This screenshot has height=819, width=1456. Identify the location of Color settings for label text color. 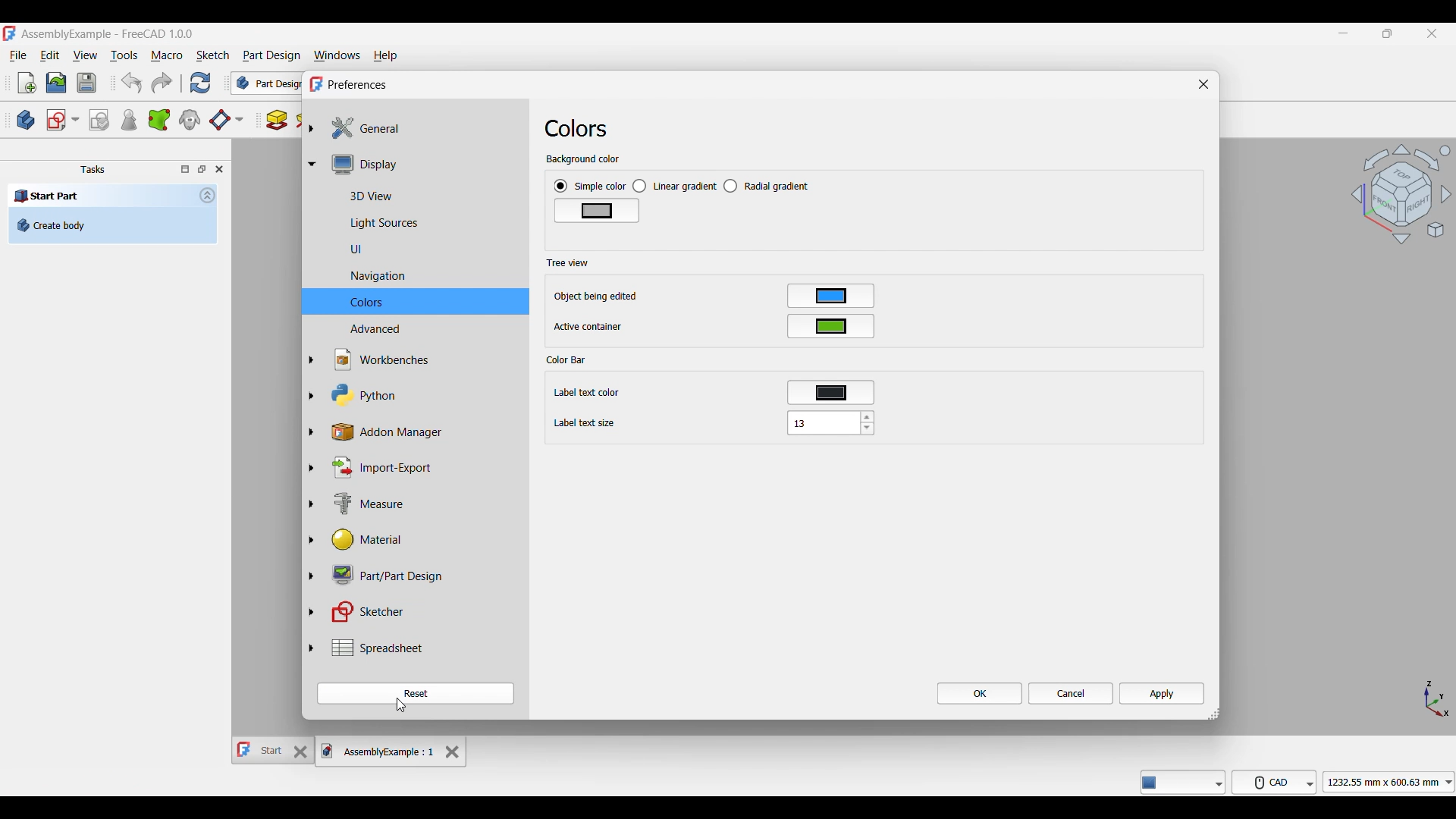
(831, 393).